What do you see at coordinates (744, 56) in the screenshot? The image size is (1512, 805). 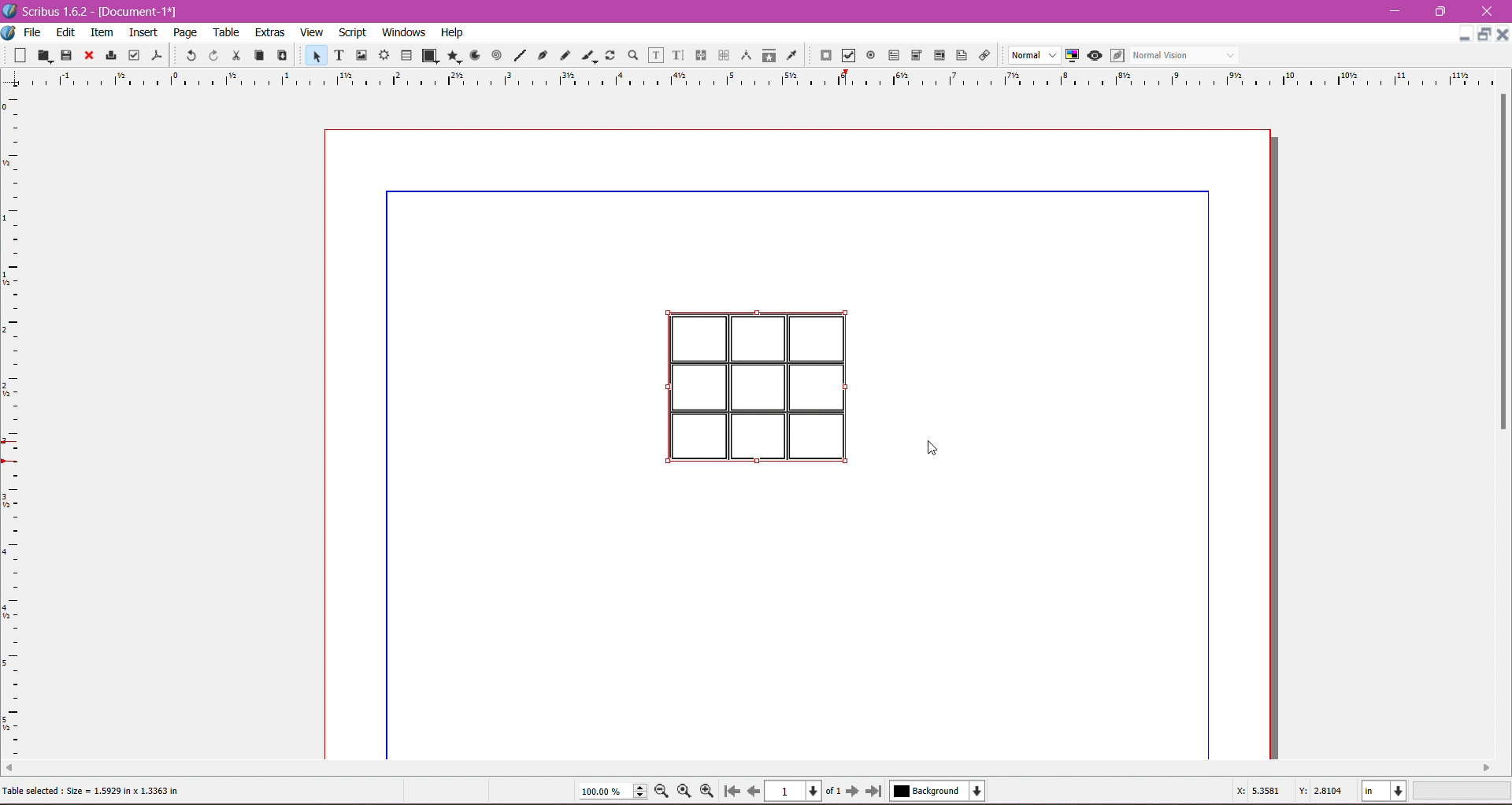 I see `Measurements` at bounding box center [744, 56].